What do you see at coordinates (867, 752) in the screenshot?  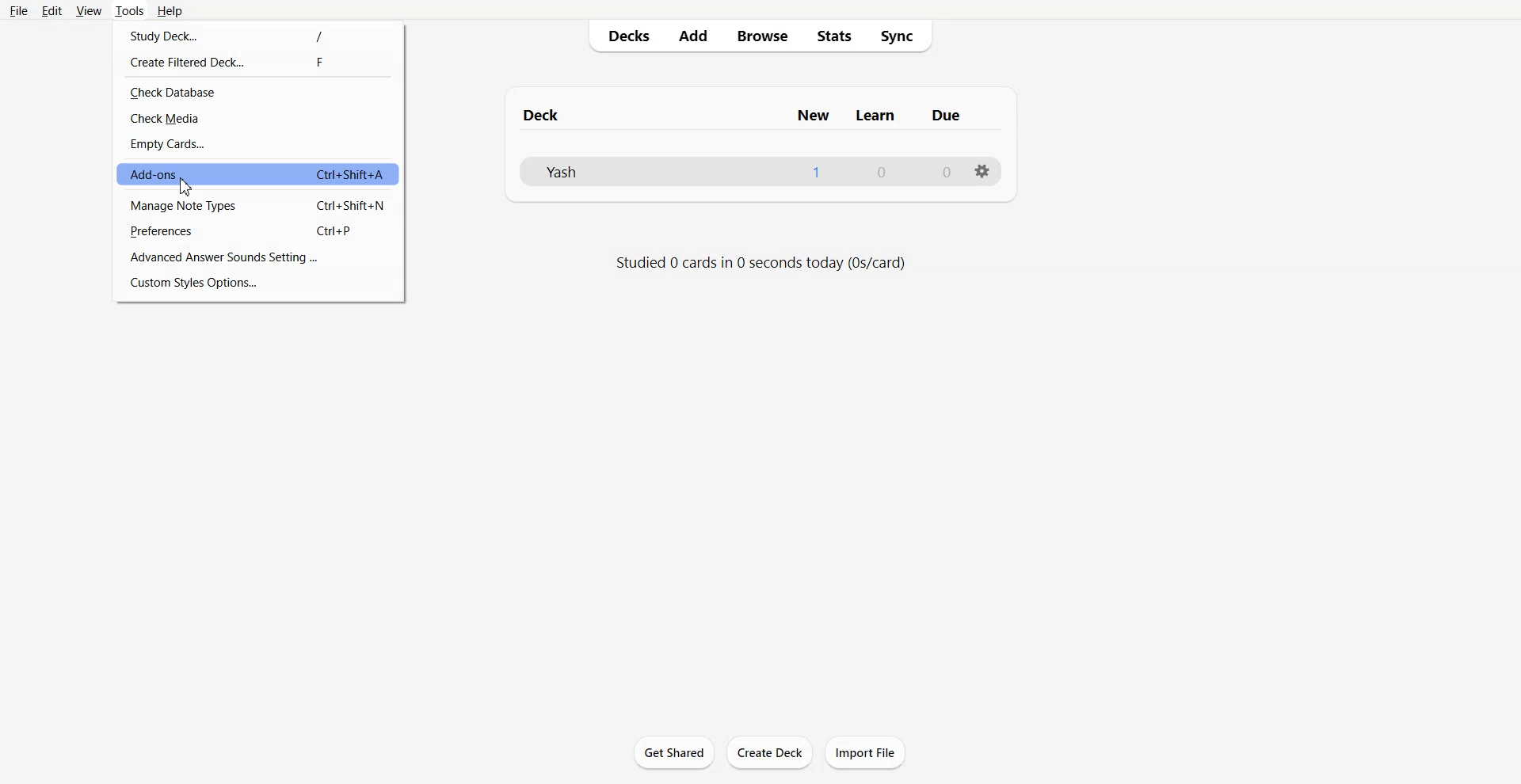 I see `Import File` at bounding box center [867, 752].